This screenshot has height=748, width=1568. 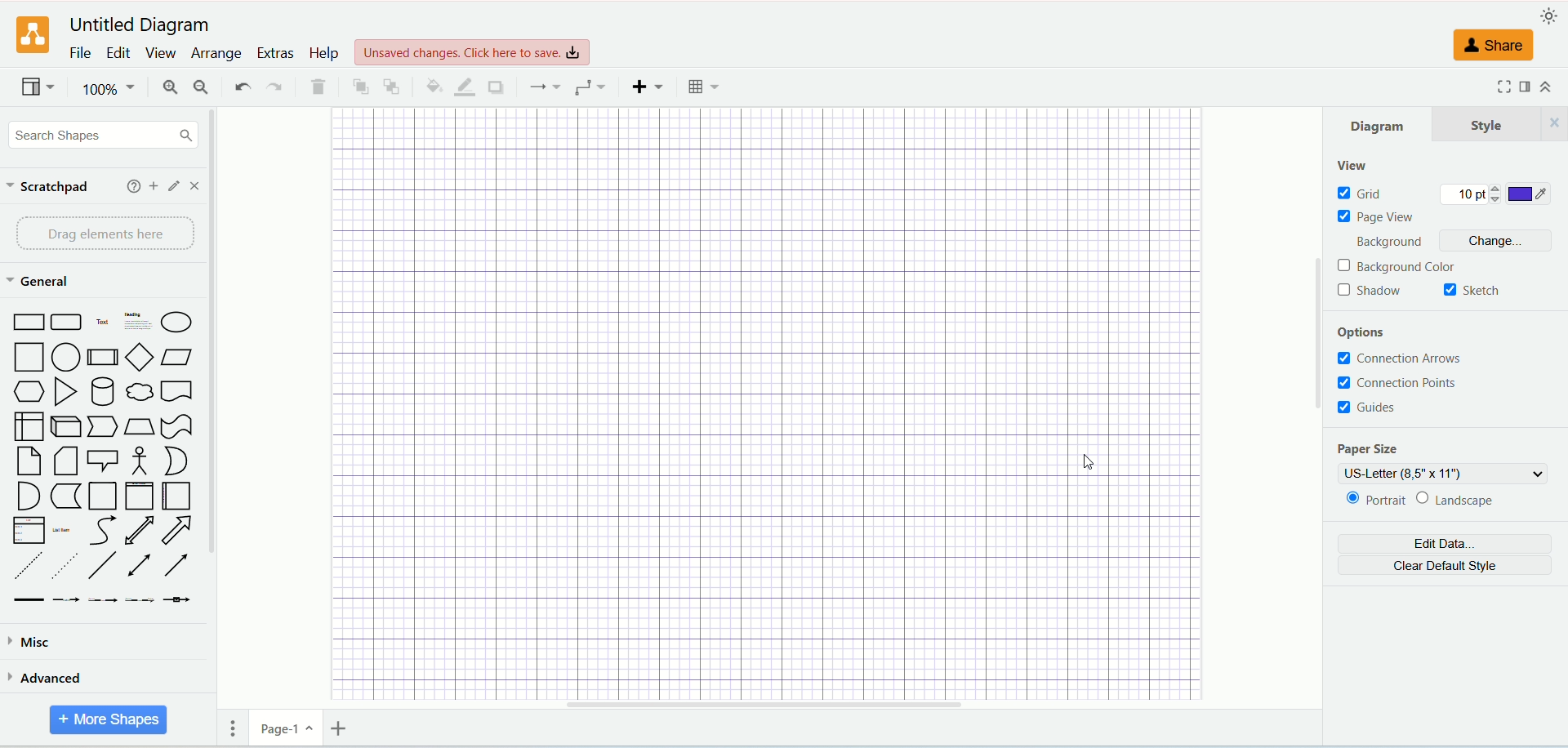 What do you see at coordinates (30, 530) in the screenshot?
I see `Item List` at bounding box center [30, 530].